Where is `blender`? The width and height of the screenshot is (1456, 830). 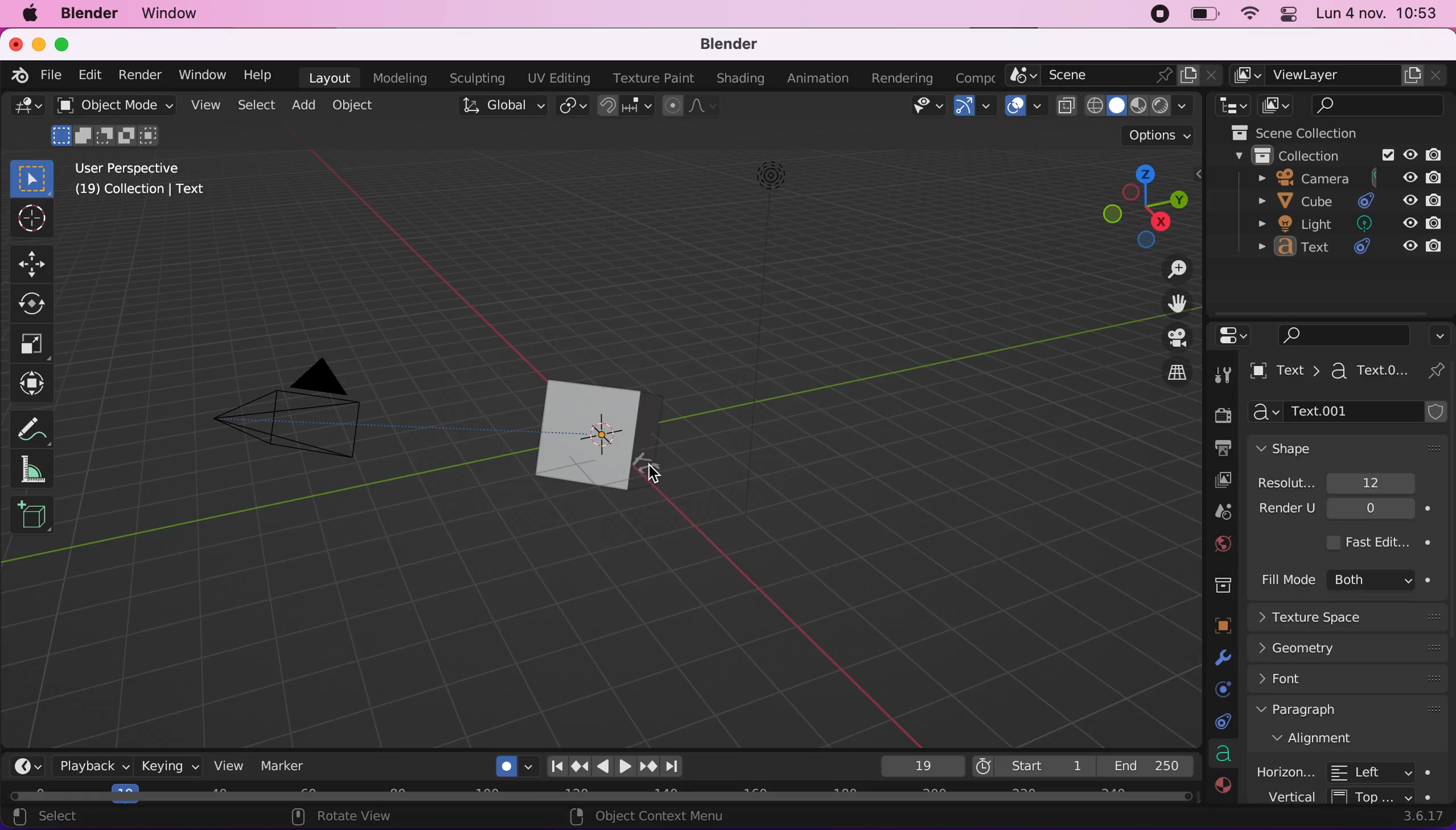 blender is located at coordinates (96, 15).